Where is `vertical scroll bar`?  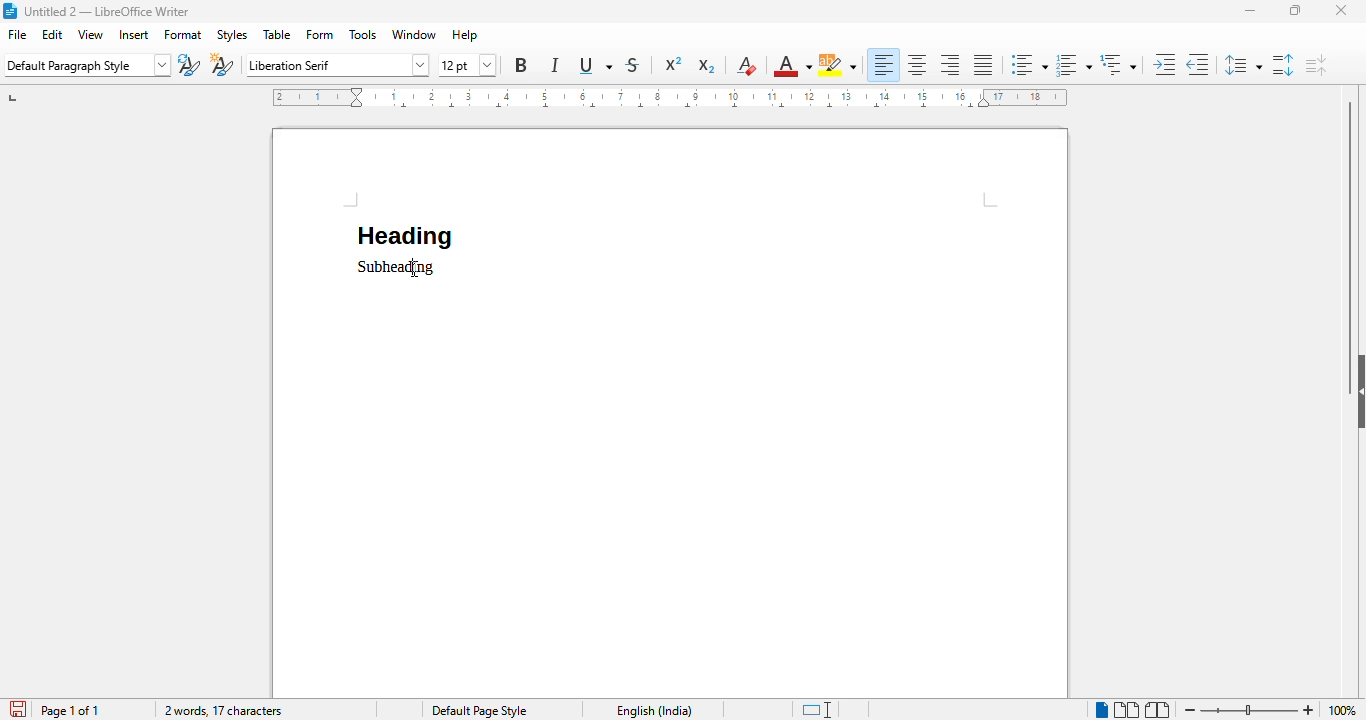 vertical scroll bar is located at coordinates (1346, 222).